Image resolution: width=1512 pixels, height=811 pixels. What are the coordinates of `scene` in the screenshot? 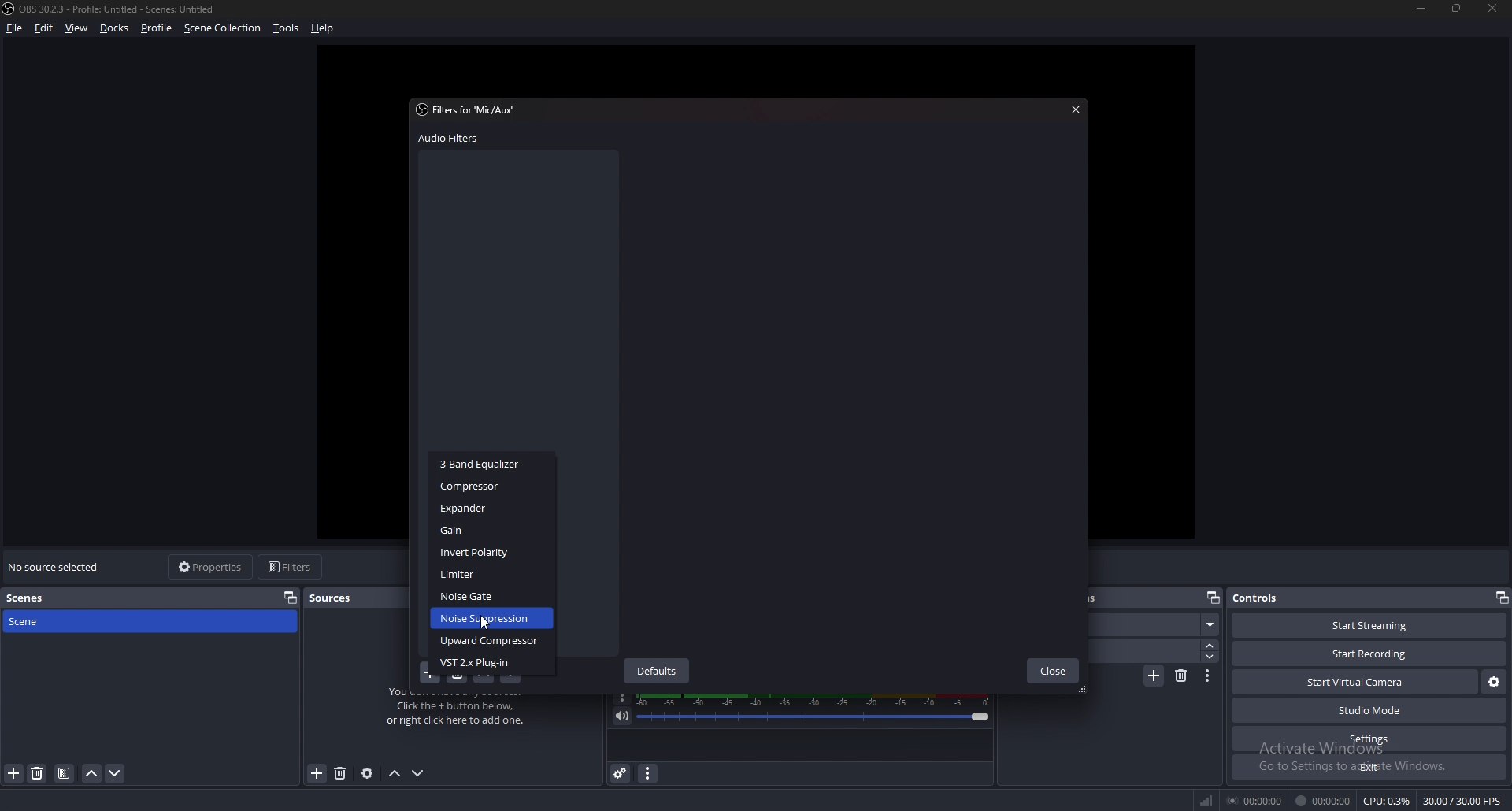 It's located at (46, 621).